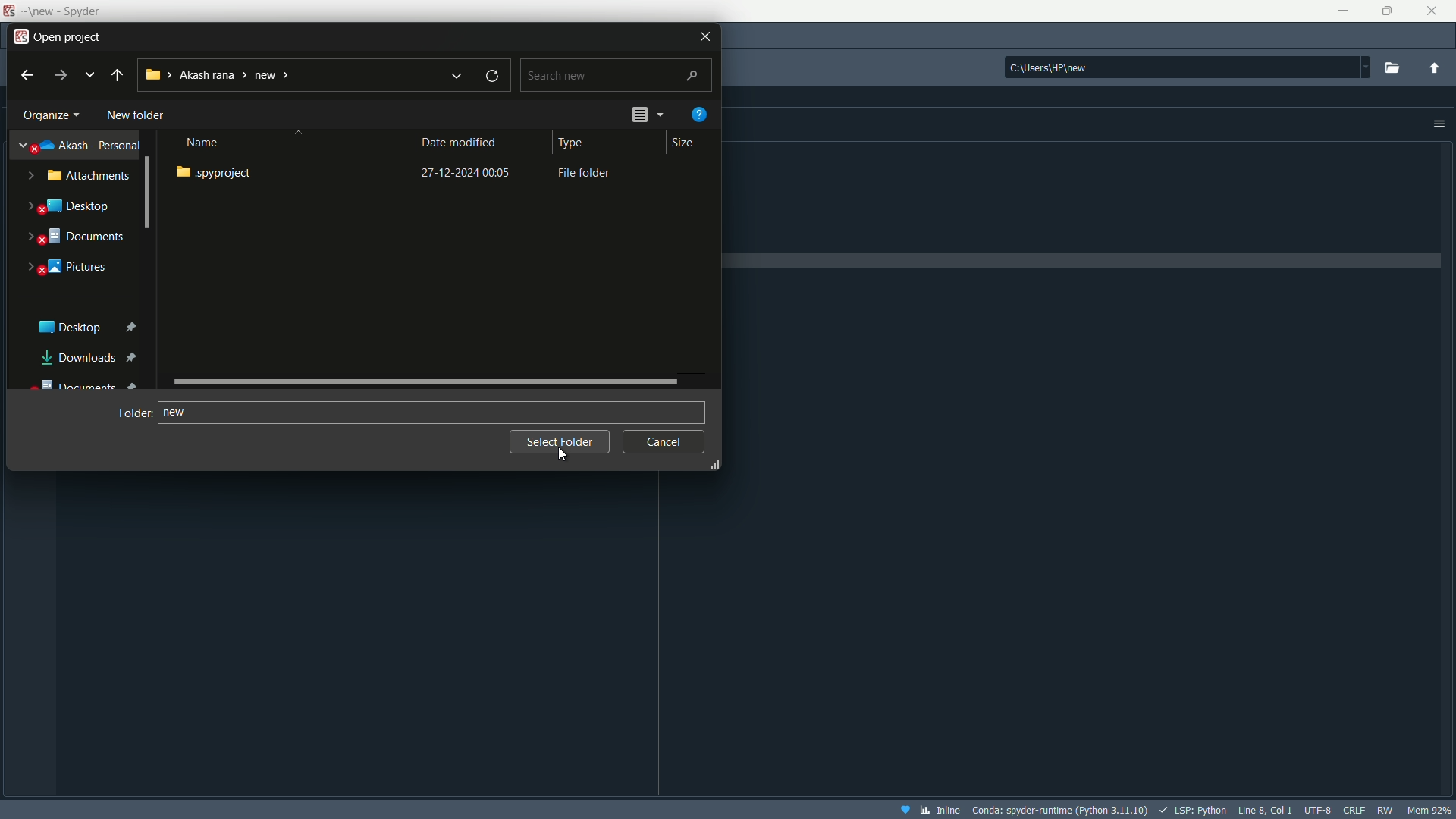  What do you see at coordinates (1435, 69) in the screenshot?
I see `parent directory` at bounding box center [1435, 69].